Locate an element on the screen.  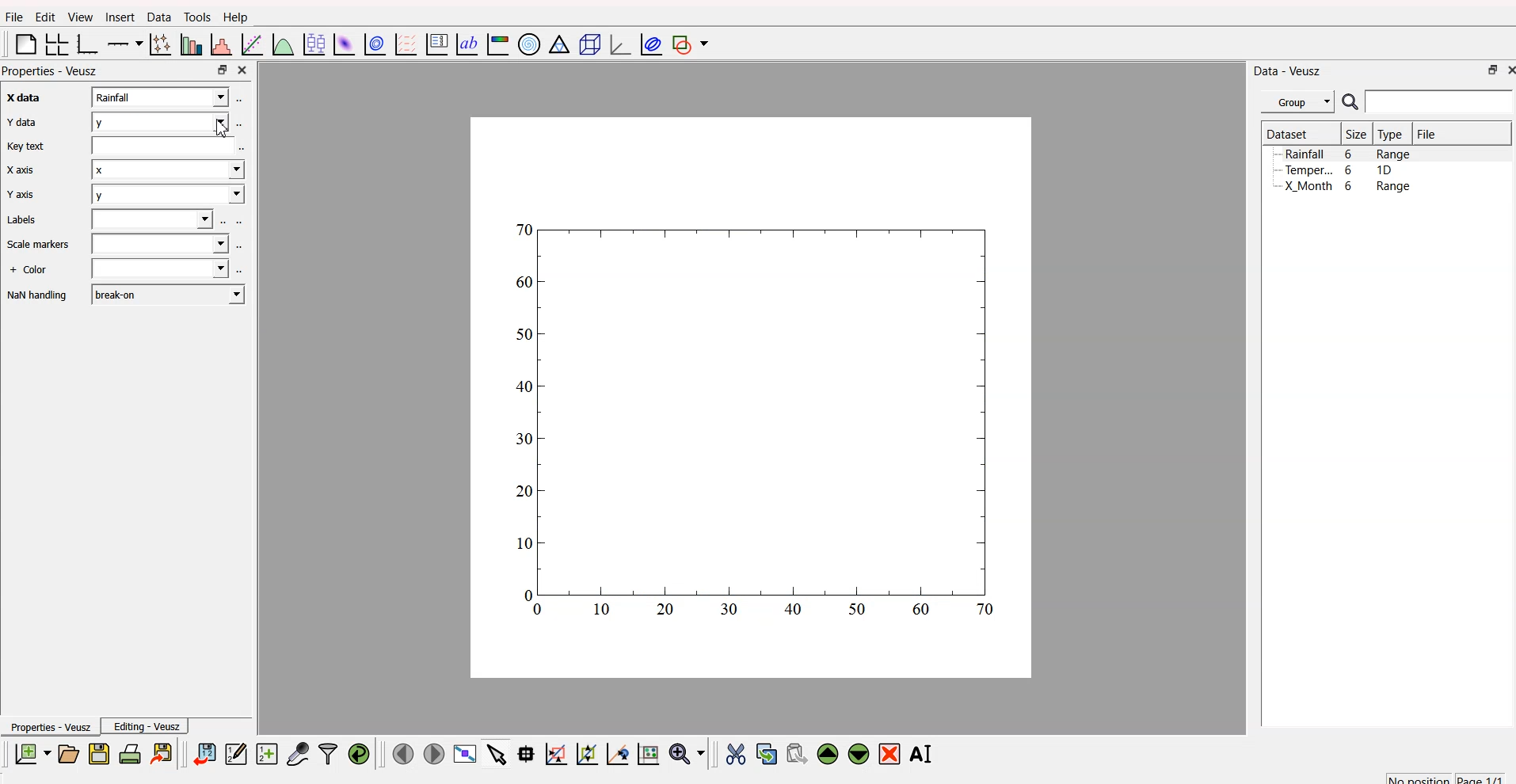
Edit is located at coordinates (43, 17).